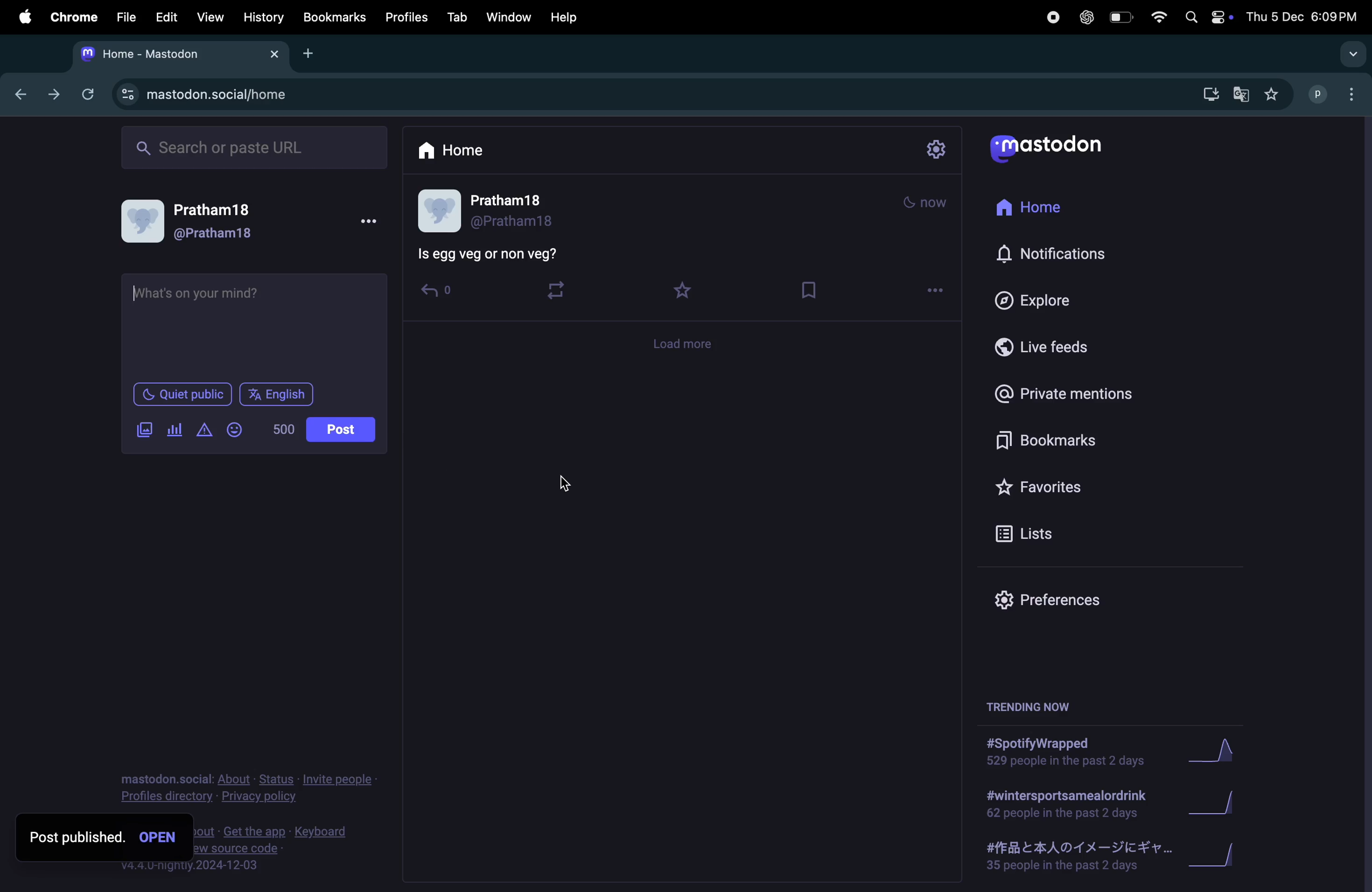 The width and height of the screenshot is (1372, 892). I want to click on alert, so click(205, 430).